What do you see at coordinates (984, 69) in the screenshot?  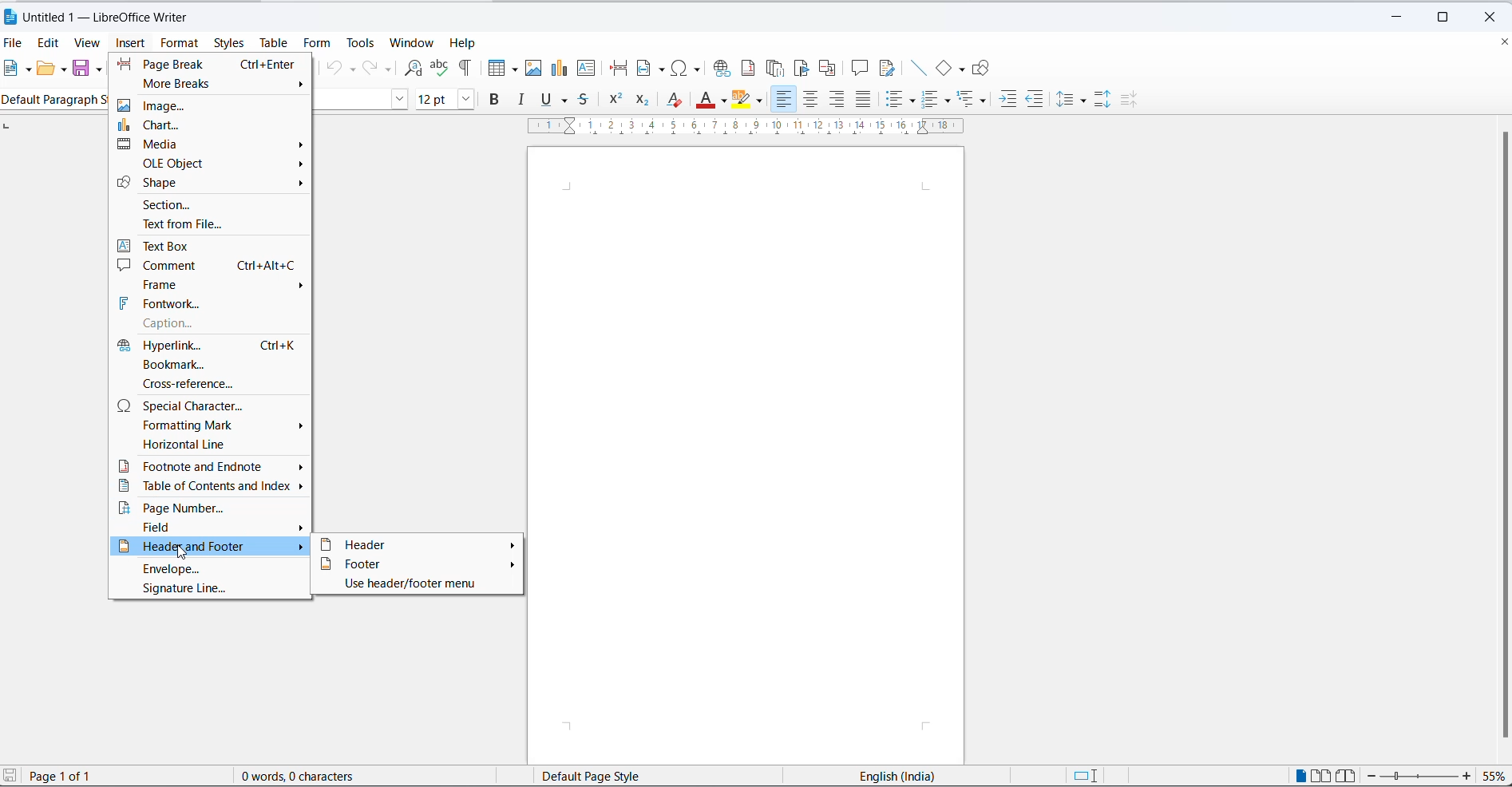 I see `Show draw functions` at bounding box center [984, 69].